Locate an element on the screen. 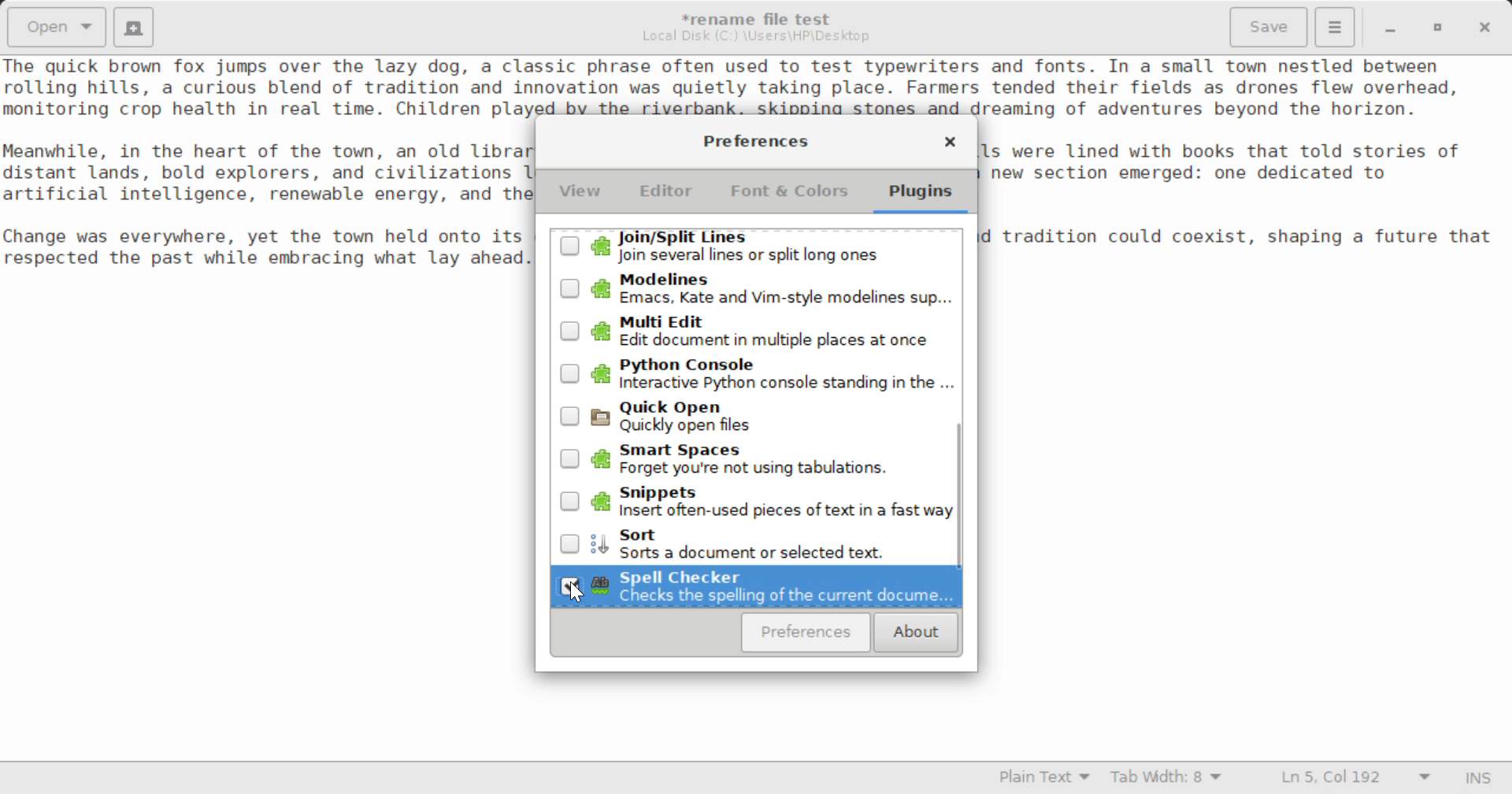 The image size is (1512, 794). Down Arrow to Selected Spell Checker Plugin Button  is located at coordinates (756, 587).